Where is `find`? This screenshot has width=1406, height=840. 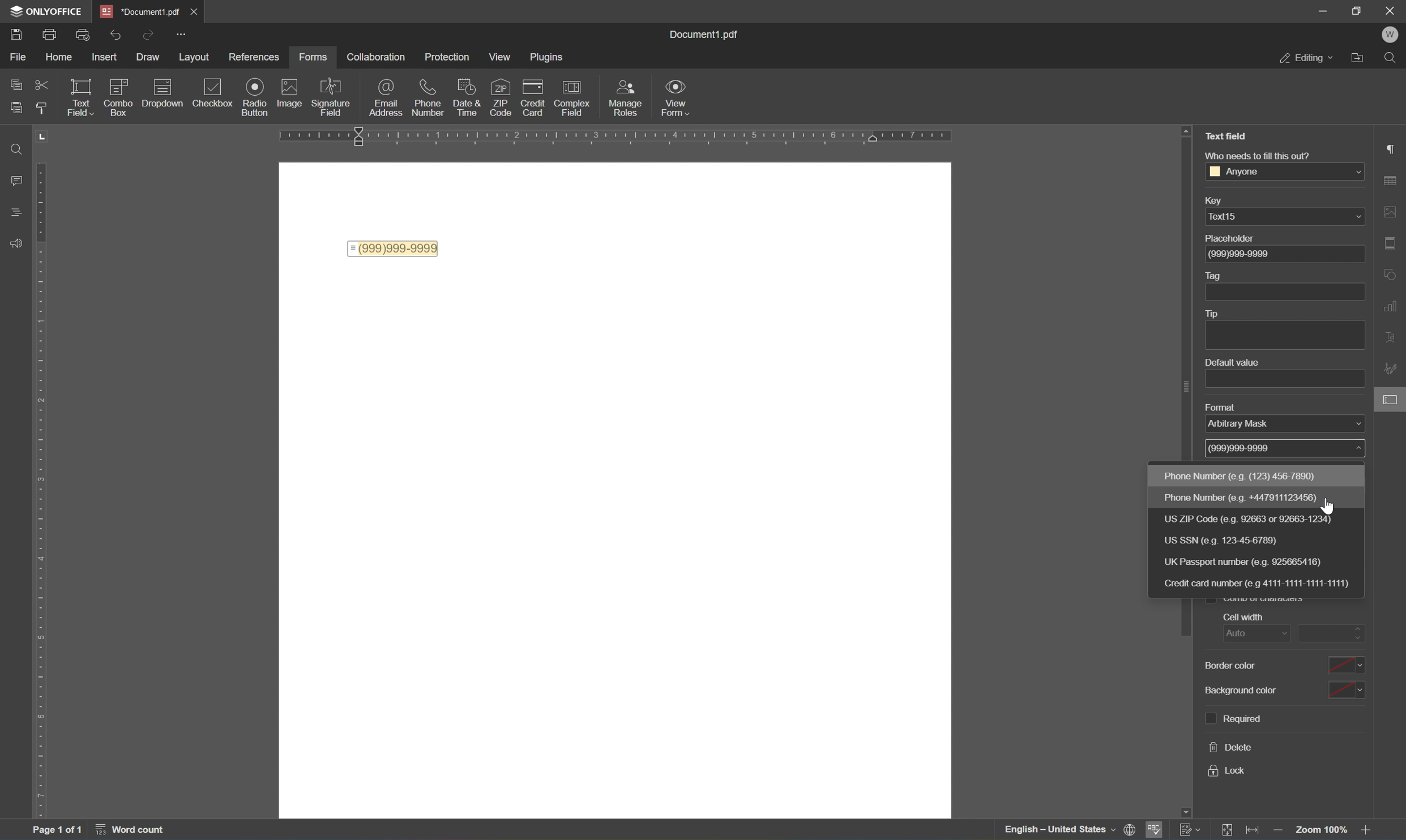 find is located at coordinates (1394, 59).